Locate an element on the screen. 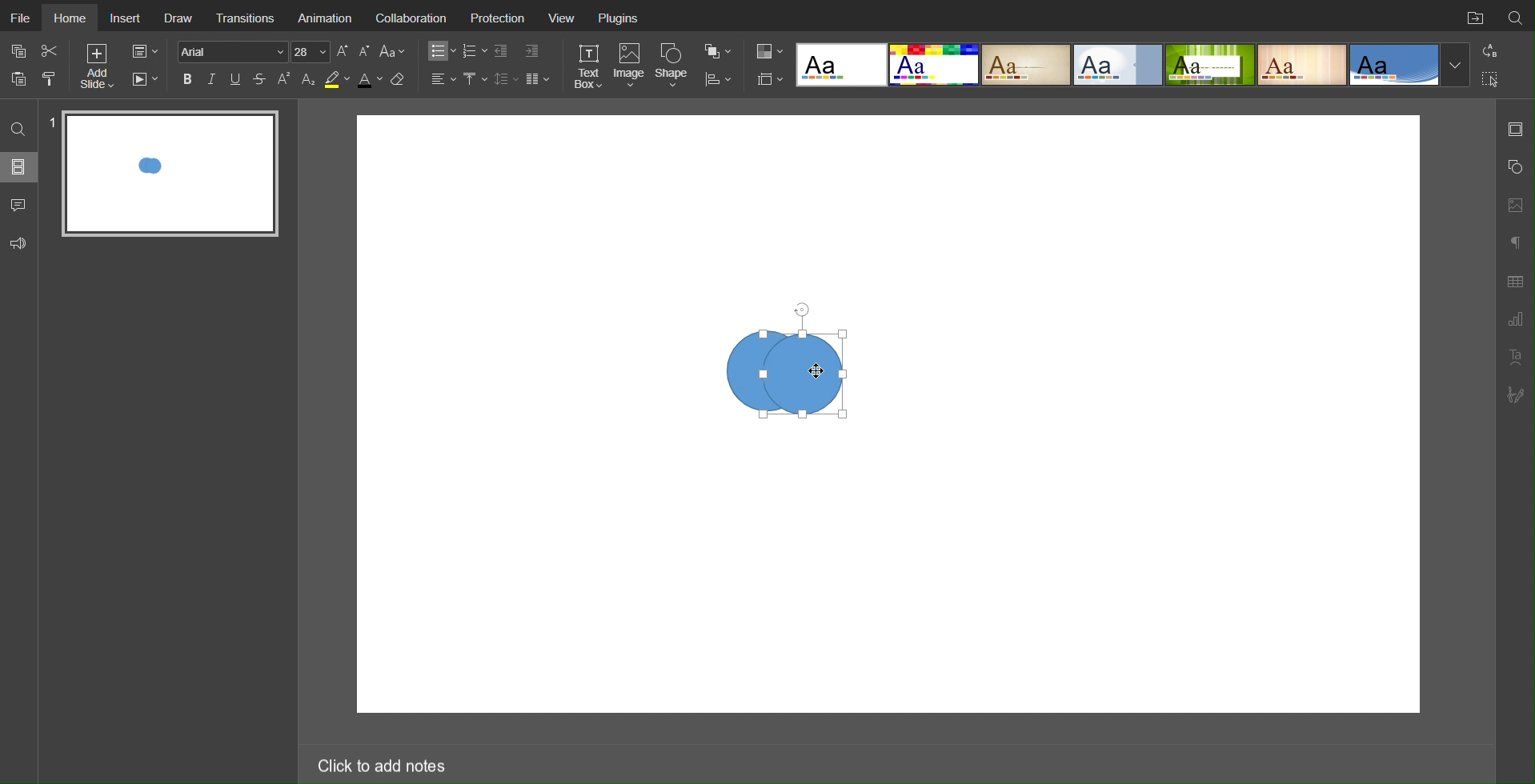 This screenshot has height=784, width=1535. Cut is located at coordinates (51, 50).